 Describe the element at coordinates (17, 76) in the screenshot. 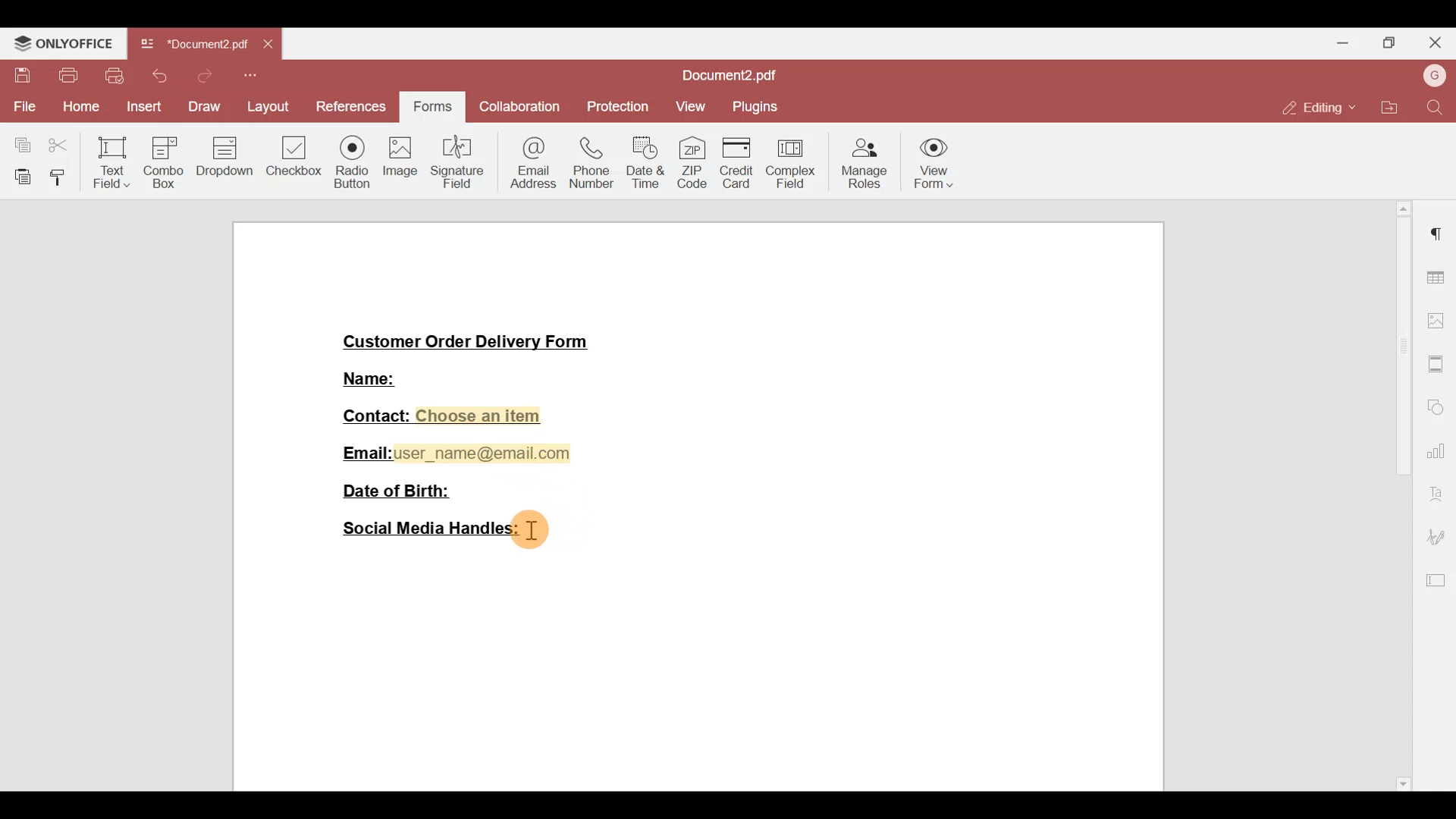

I see `Save` at that location.